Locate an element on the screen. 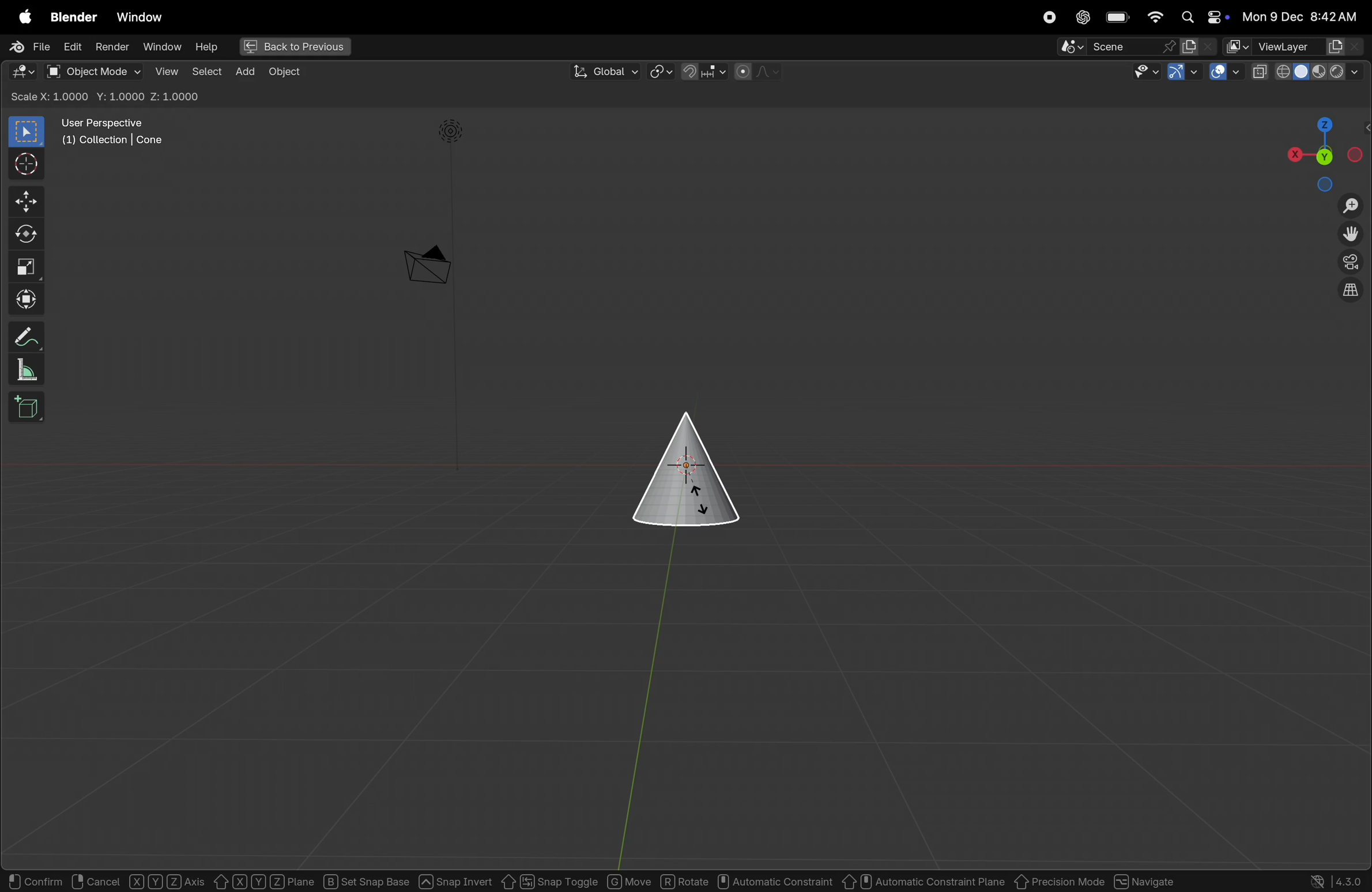  move is located at coordinates (631, 881).